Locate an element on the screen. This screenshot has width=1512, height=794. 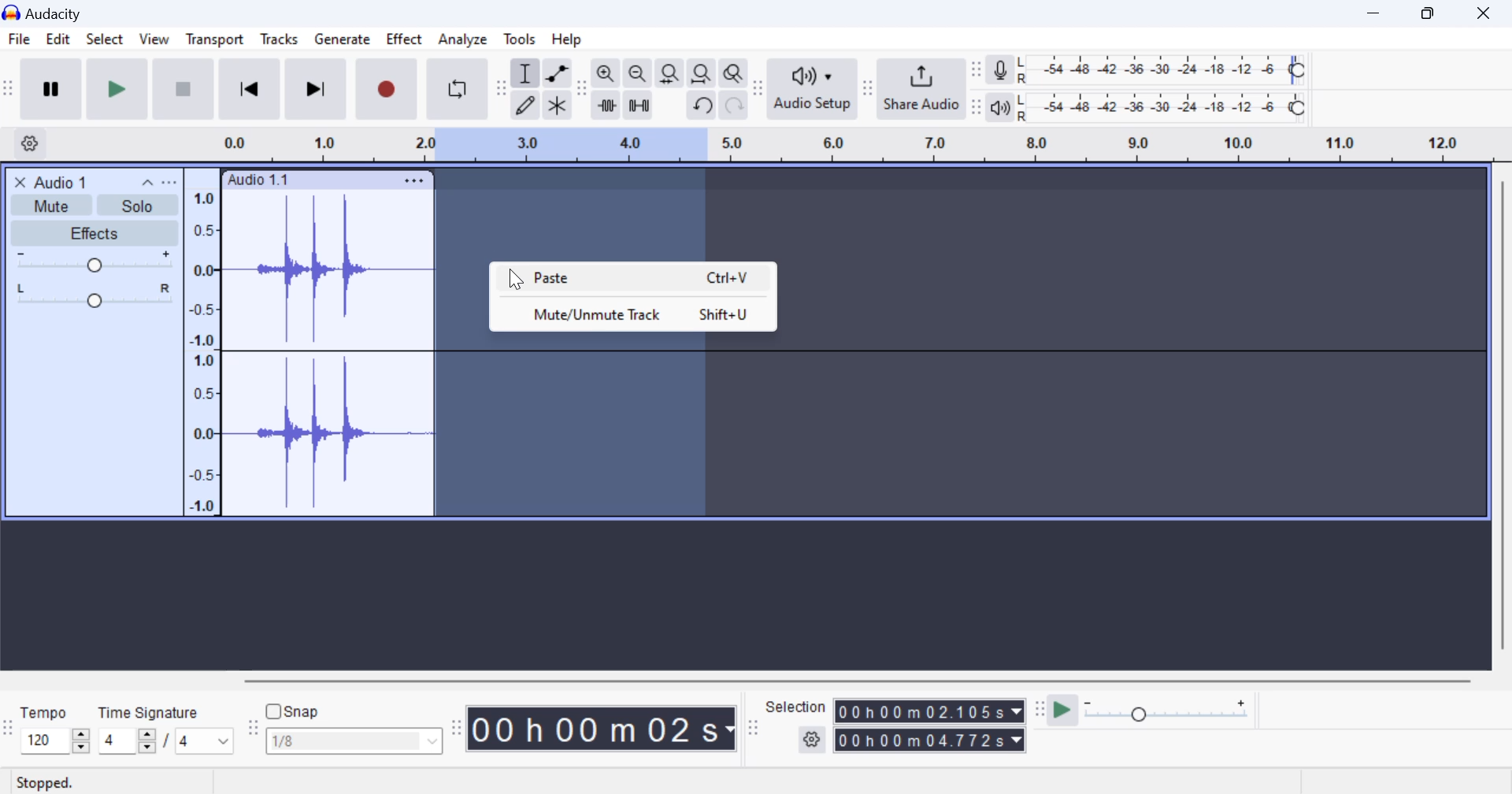
Pan Center is located at coordinates (98, 295).